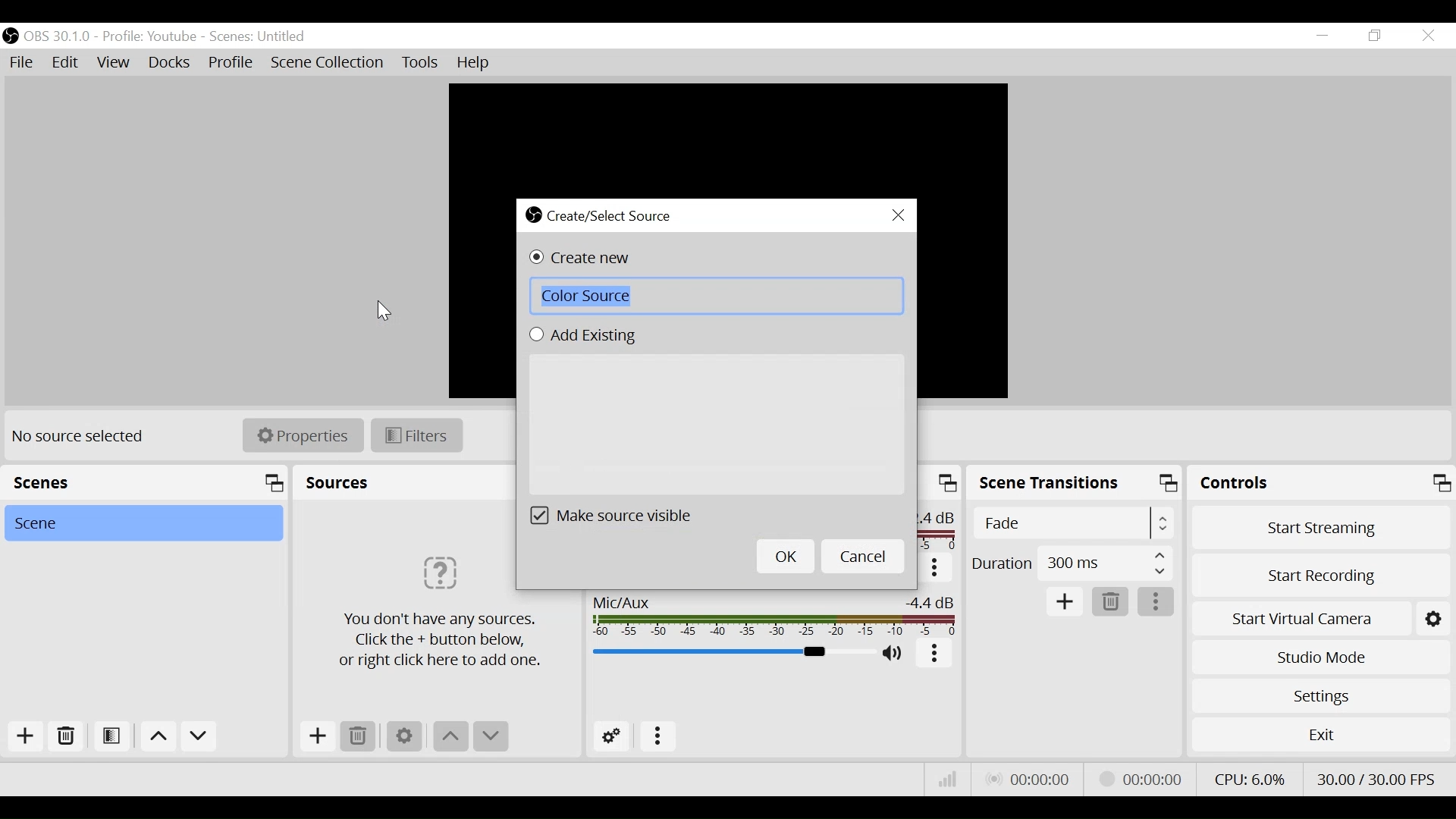 This screenshot has height=819, width=1456. Describe the element at coordinates (1108, 602) in the screenshot. I see `Delete` at that location.